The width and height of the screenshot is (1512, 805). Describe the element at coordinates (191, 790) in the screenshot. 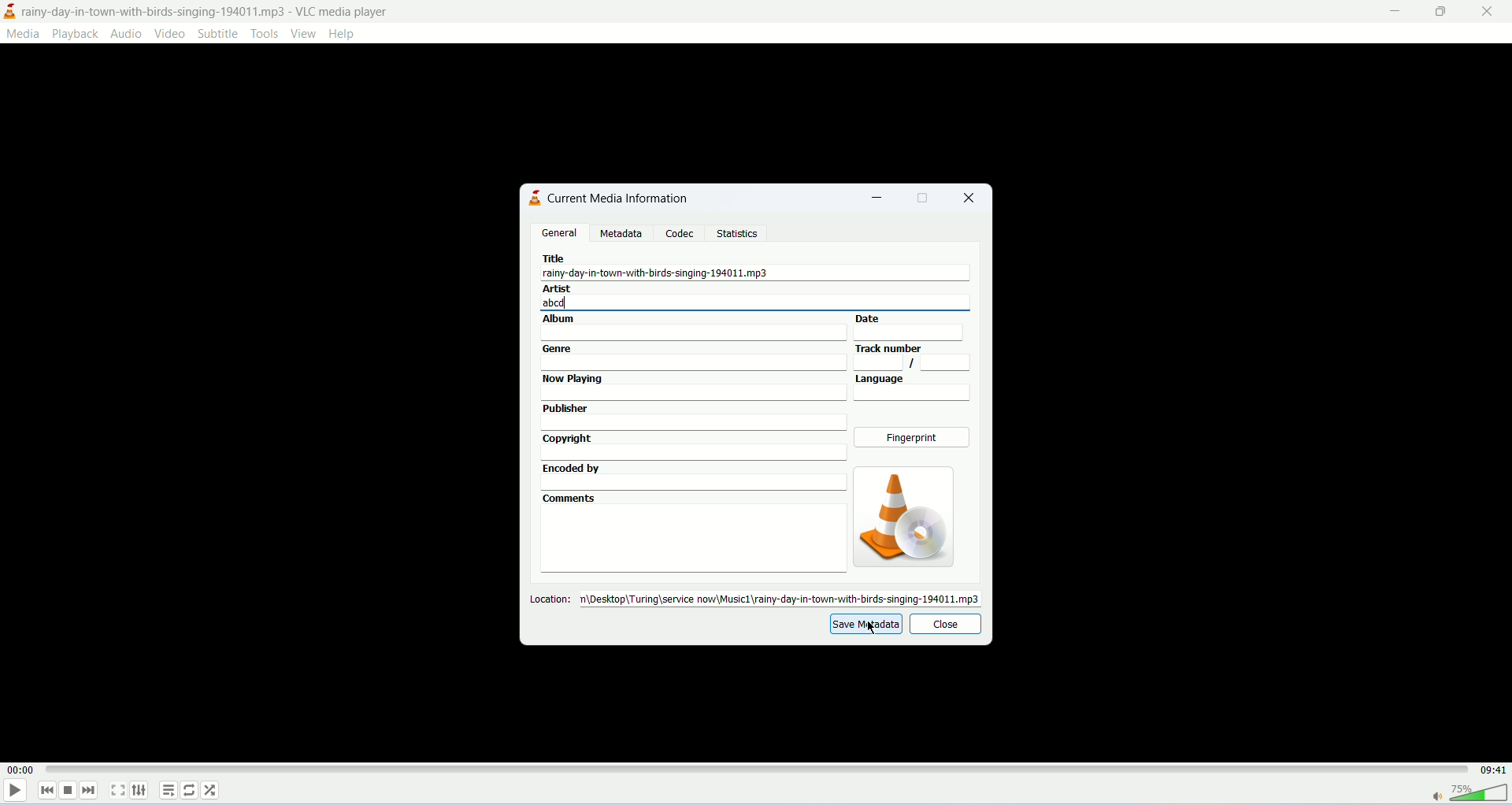

I see `loop` at that location.